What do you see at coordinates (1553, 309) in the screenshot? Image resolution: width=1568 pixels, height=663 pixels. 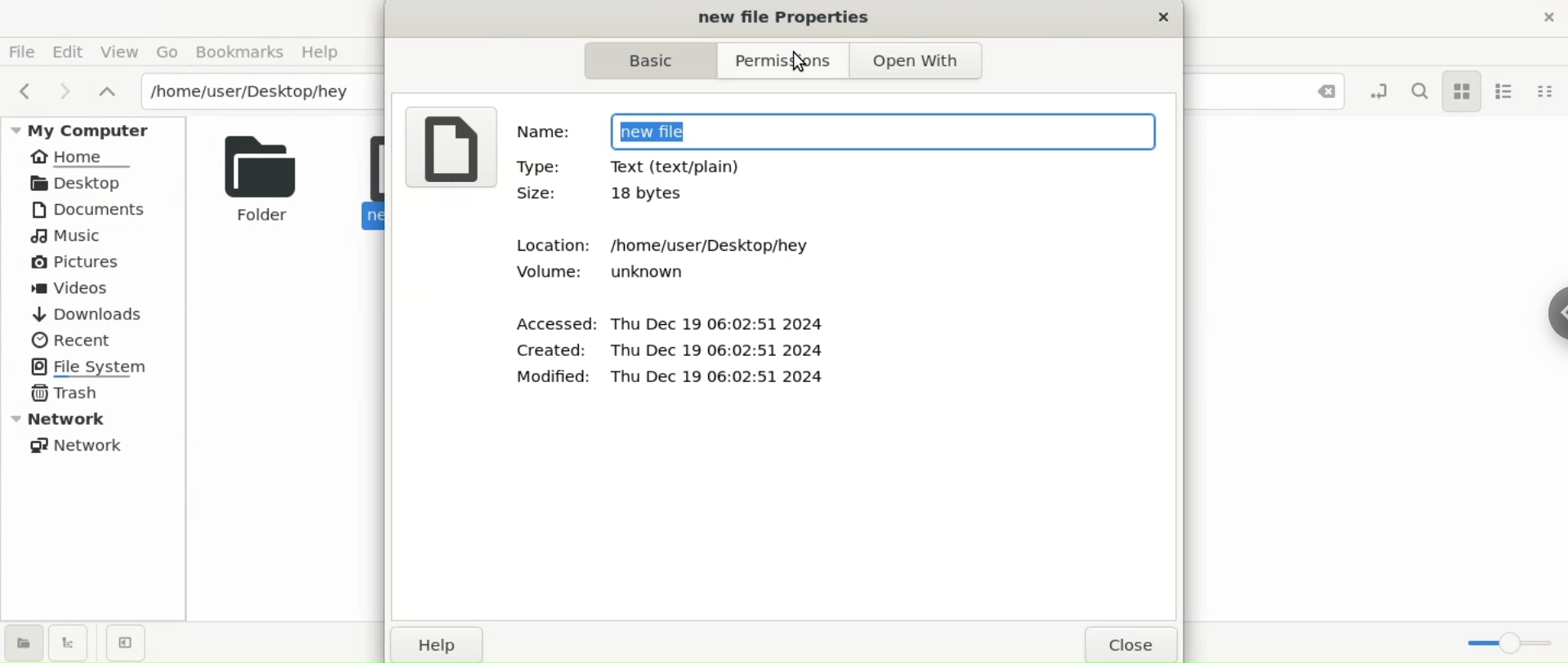 I see `sidebar` at bounding box center [1553, 309].